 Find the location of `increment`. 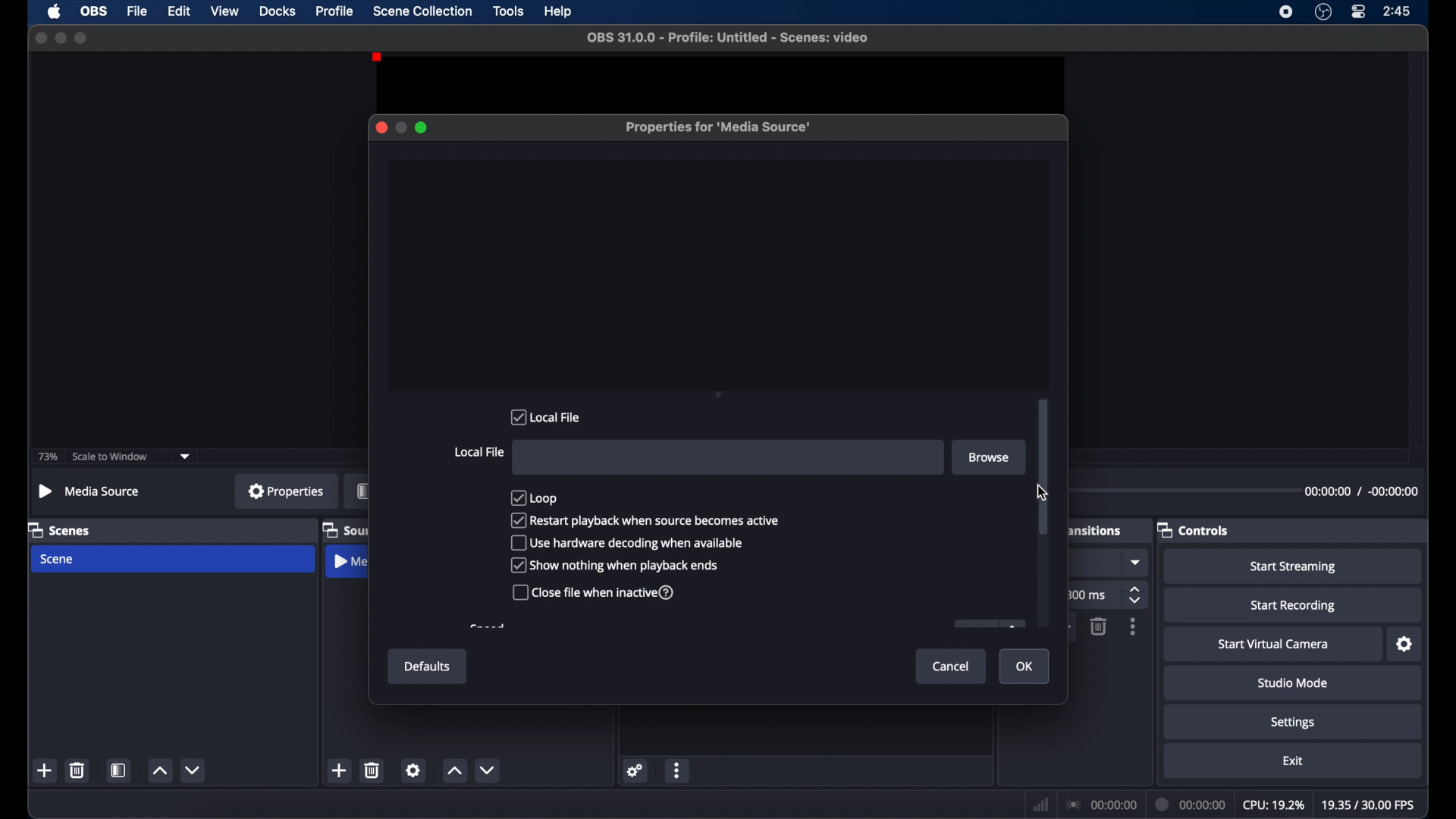

increment is located at coordinates (455, 772).